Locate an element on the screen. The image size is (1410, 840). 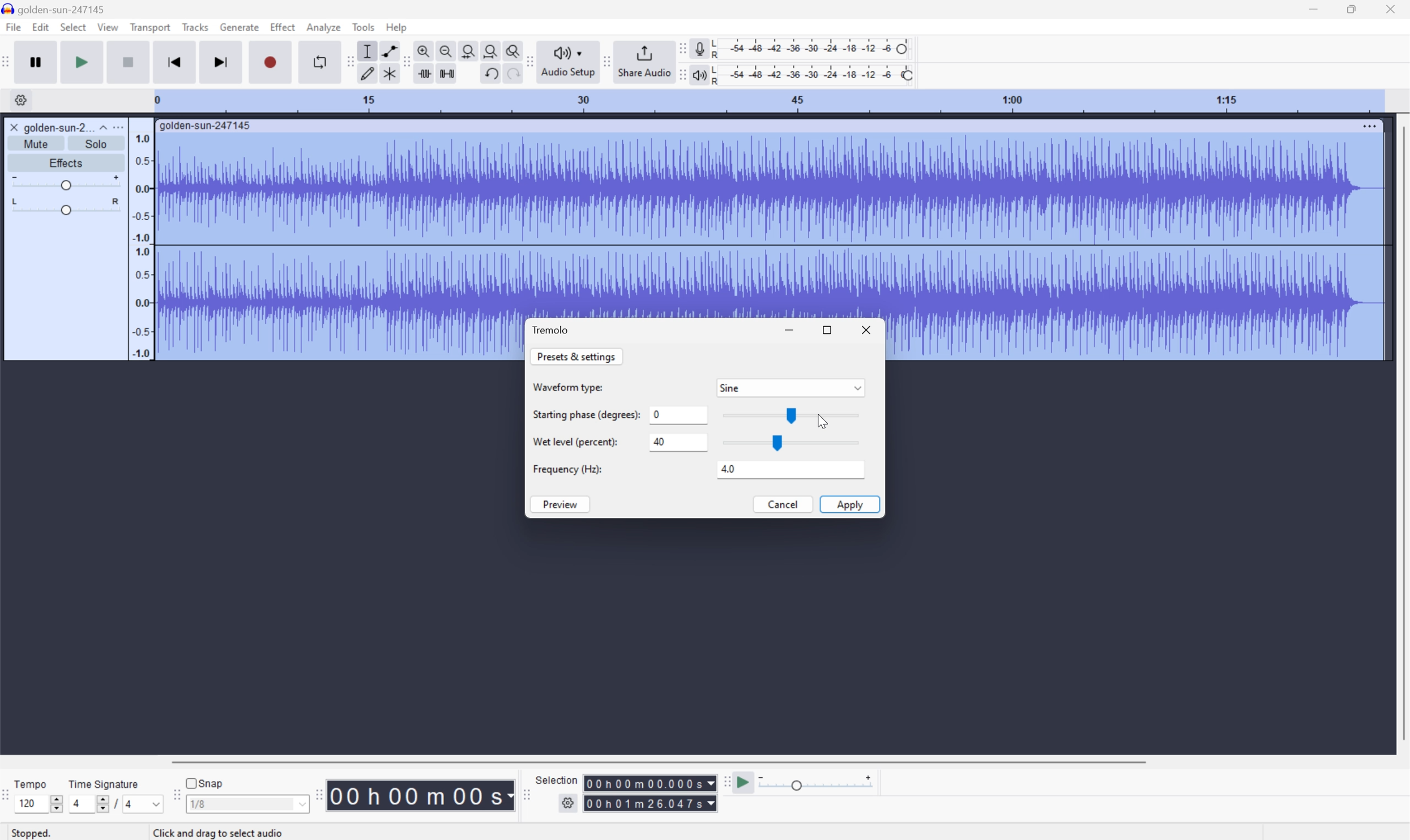
0 is located at coordinates (679, 416).